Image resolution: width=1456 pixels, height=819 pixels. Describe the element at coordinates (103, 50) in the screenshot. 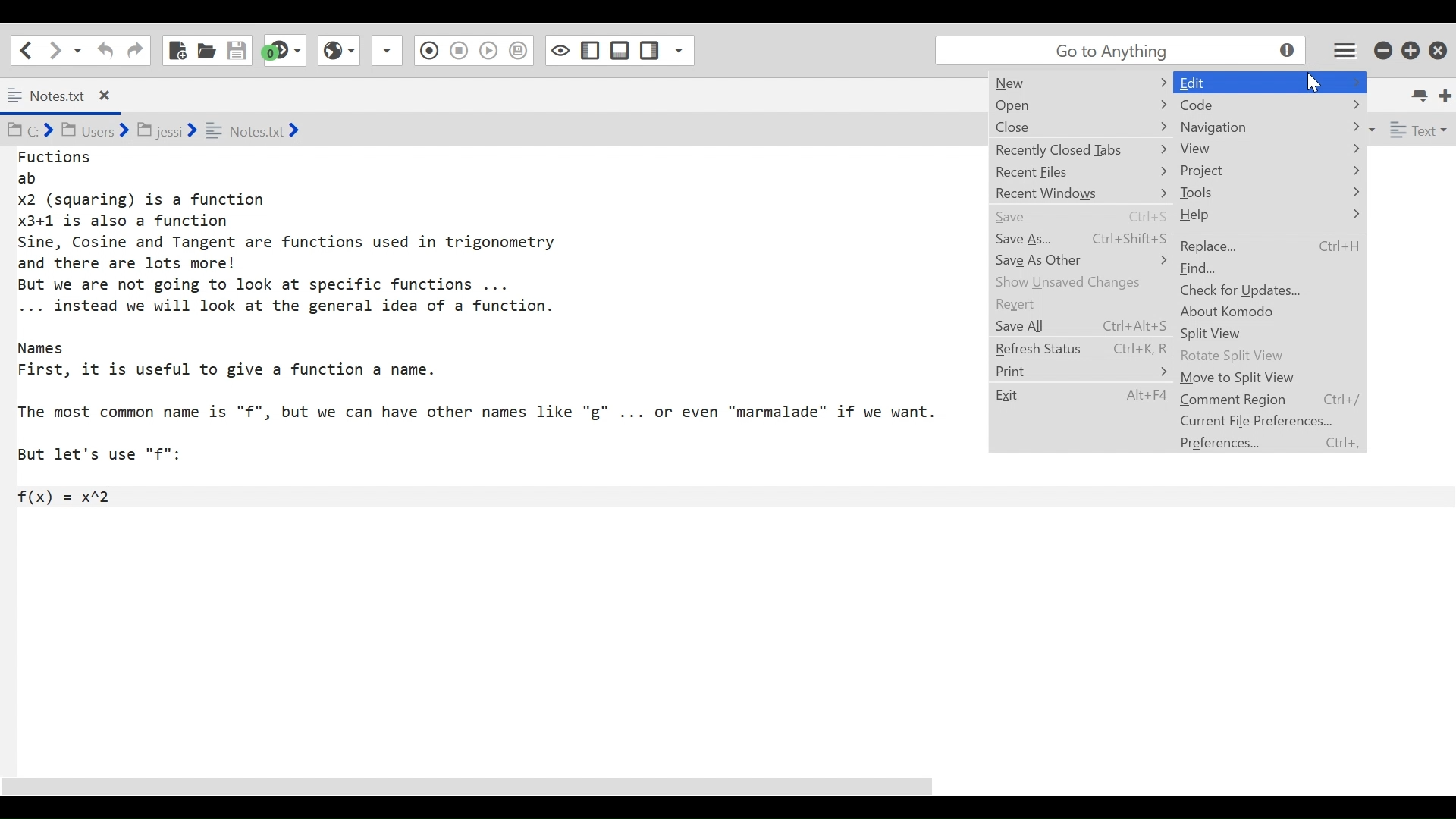

I see `Undo` at that location.